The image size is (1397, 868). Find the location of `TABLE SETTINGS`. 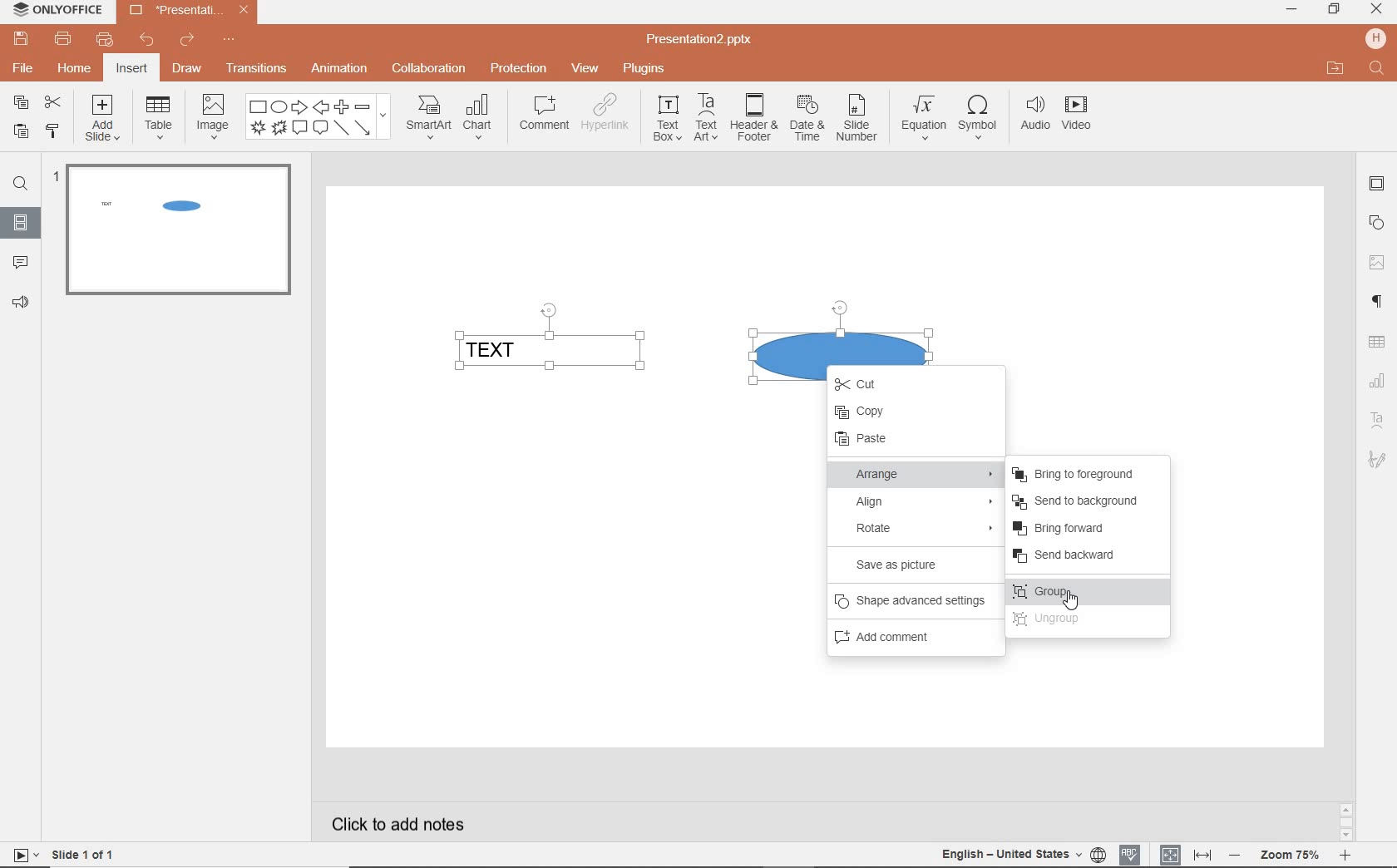

TABLE SETTINGS is located at coordinates (1377, 343).